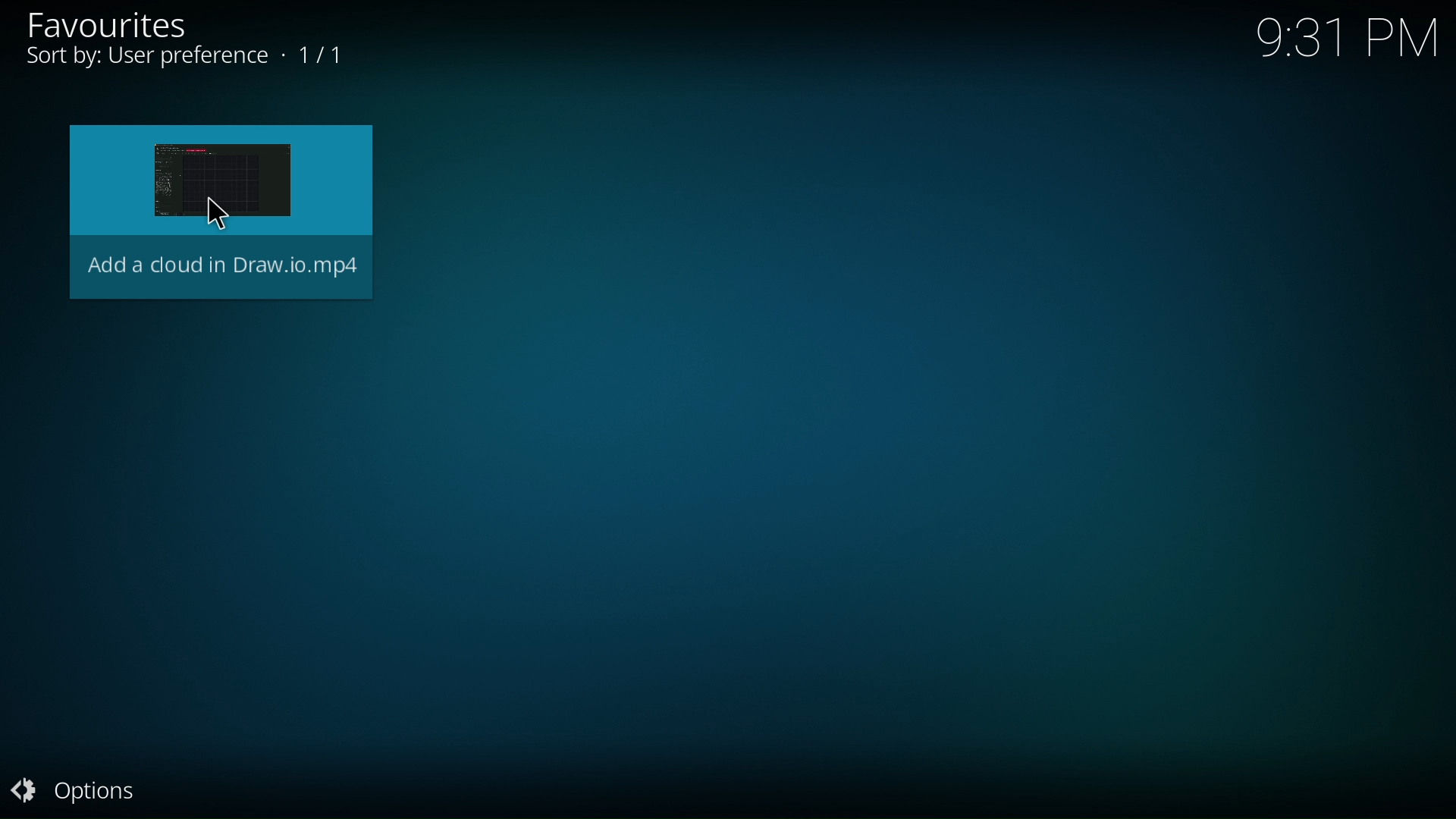  I want to click on cursor, so click(224, 212).